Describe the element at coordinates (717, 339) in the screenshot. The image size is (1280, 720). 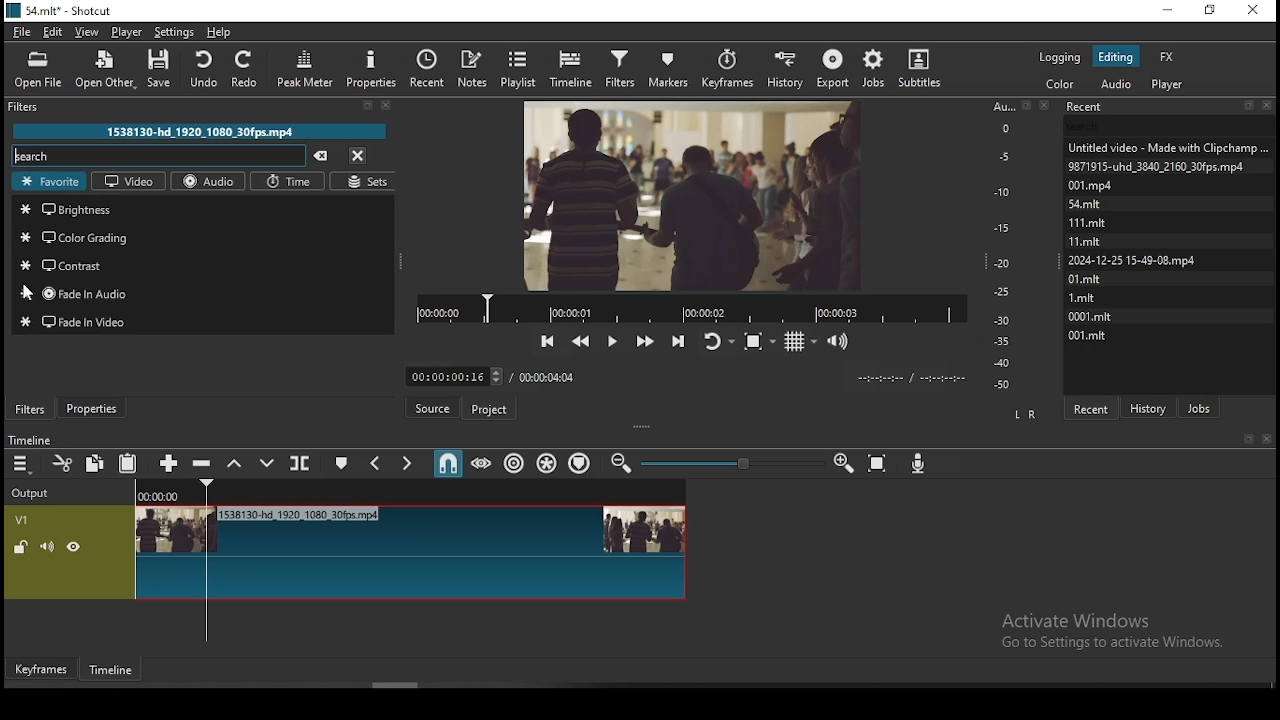
I see `toggle player looping` at that location.